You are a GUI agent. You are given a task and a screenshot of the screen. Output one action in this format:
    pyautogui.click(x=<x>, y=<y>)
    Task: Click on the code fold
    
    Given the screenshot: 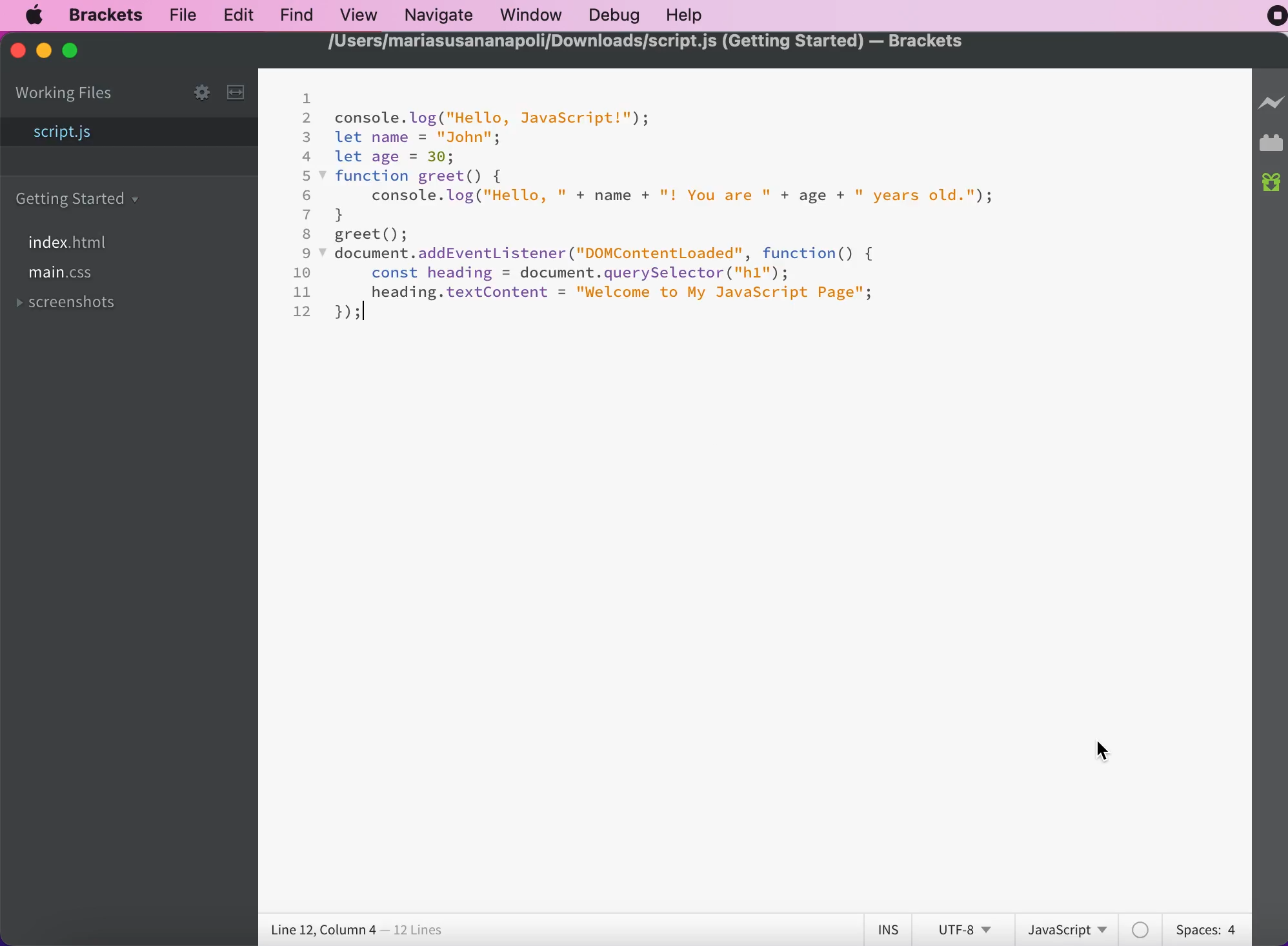 What is the action you would take?
    pyautogui.click(x=324, y=254)
    